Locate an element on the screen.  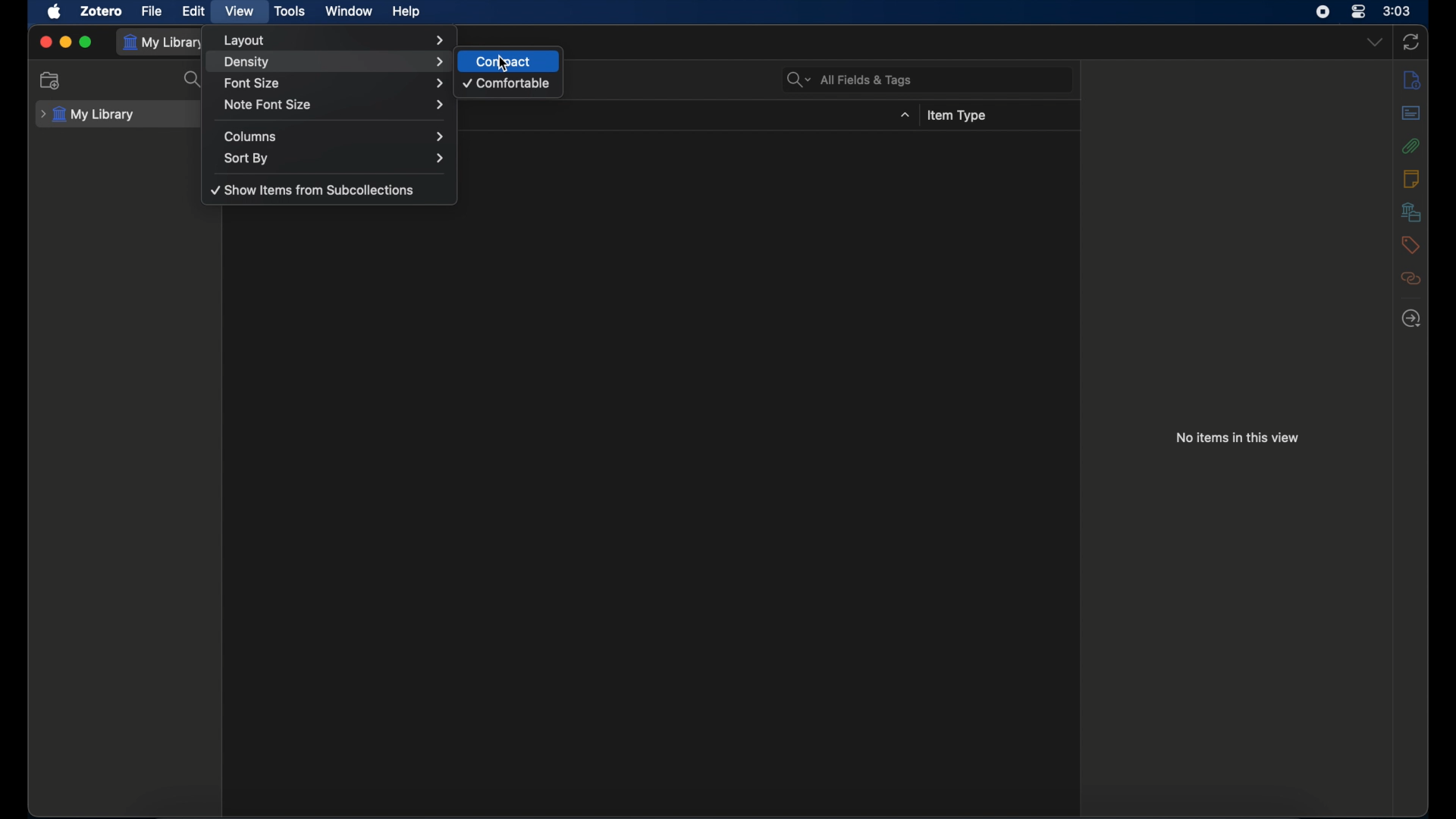
time is located at coordinates (1398, 10).